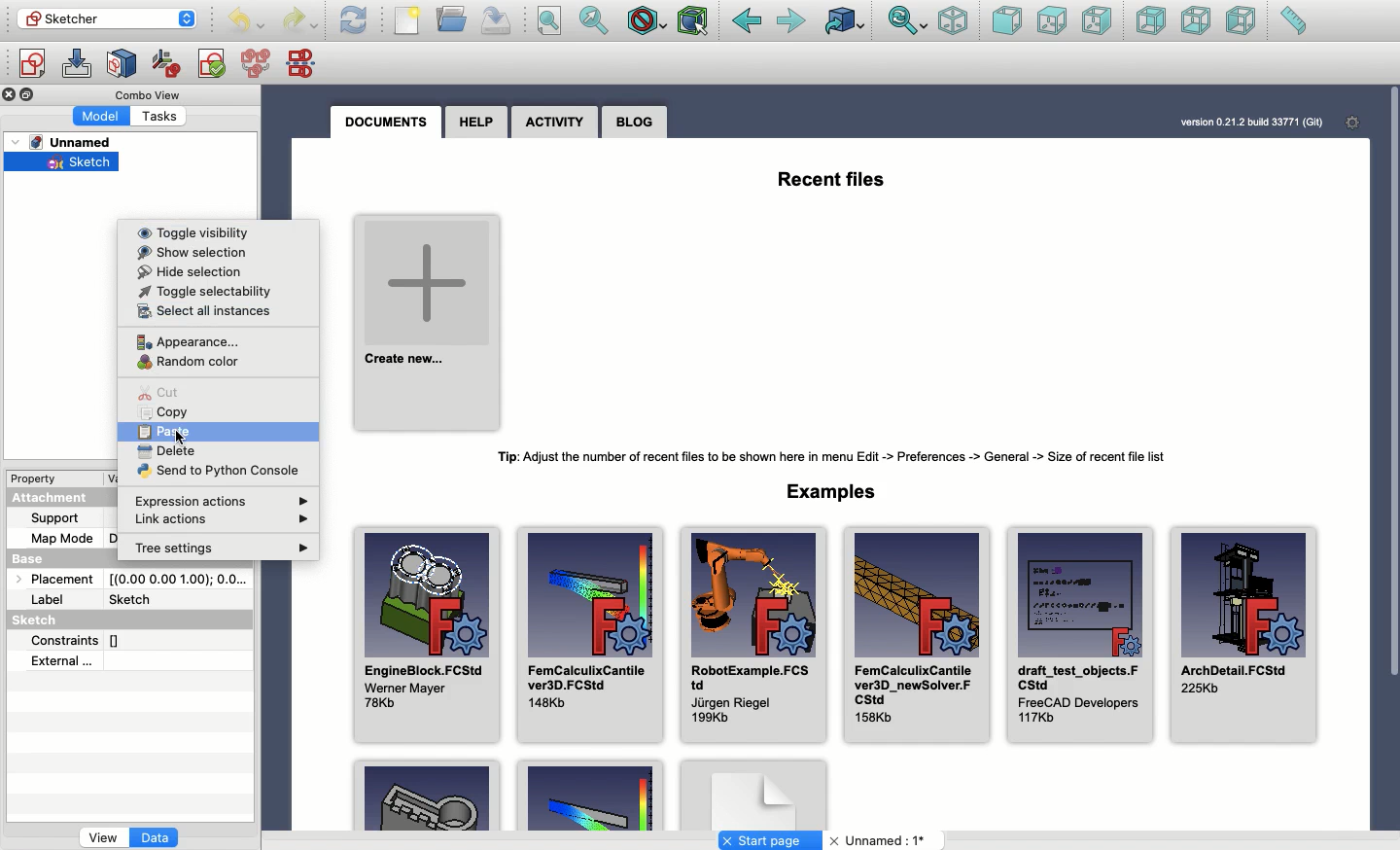  I want to click on Bottom, so click(1194, 20).